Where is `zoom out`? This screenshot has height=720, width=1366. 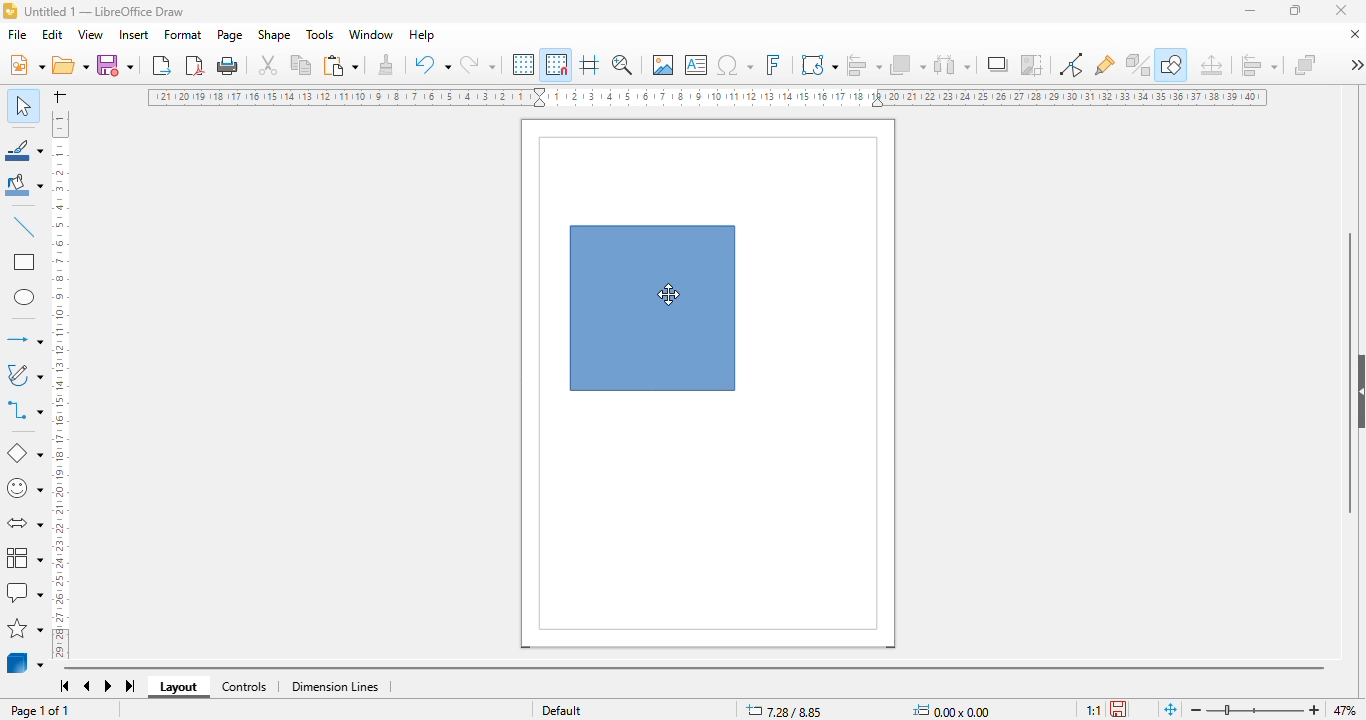 zoom out is located at coordinates (1196, 711).